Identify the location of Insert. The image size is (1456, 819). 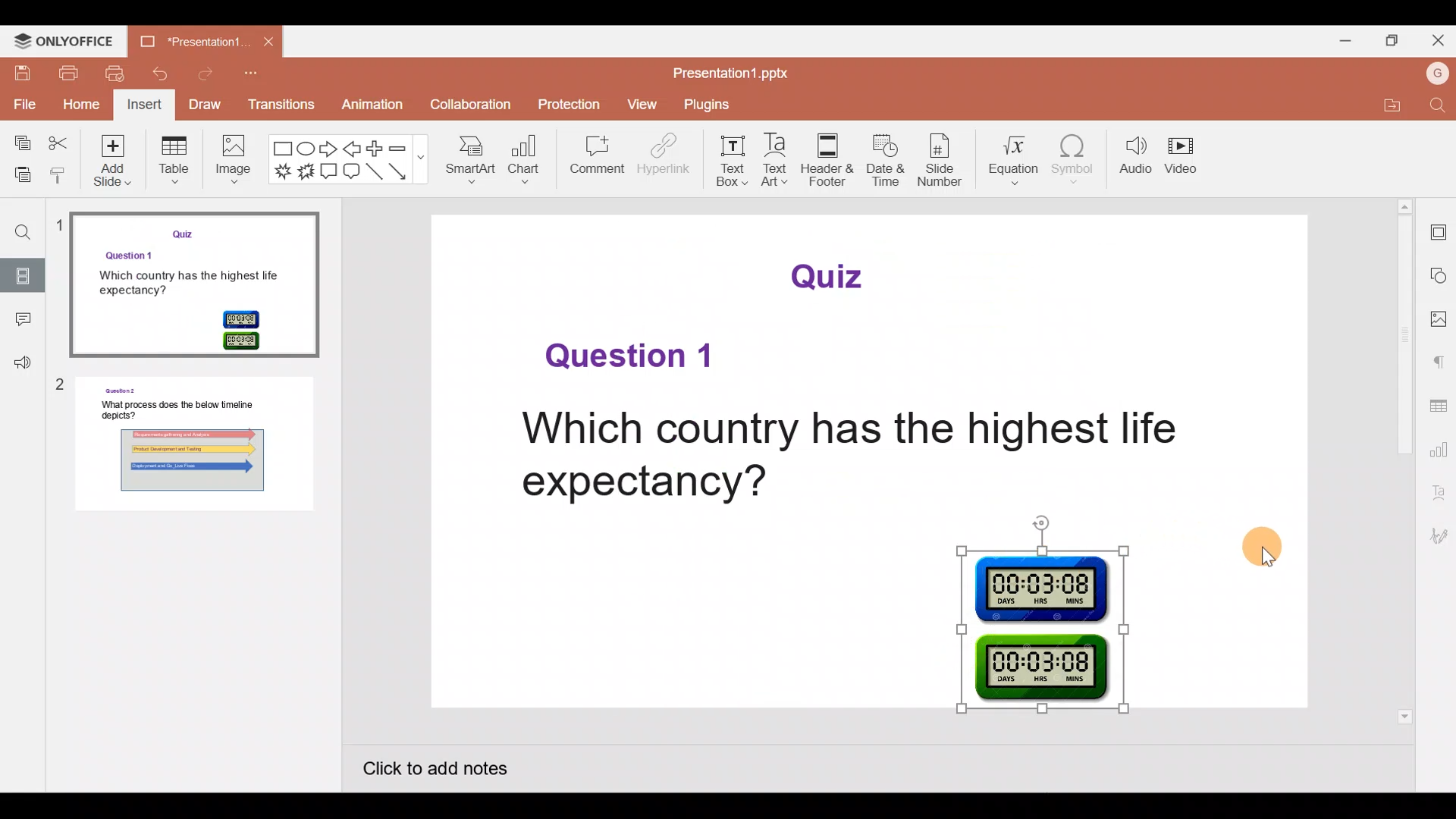
(146, 105).